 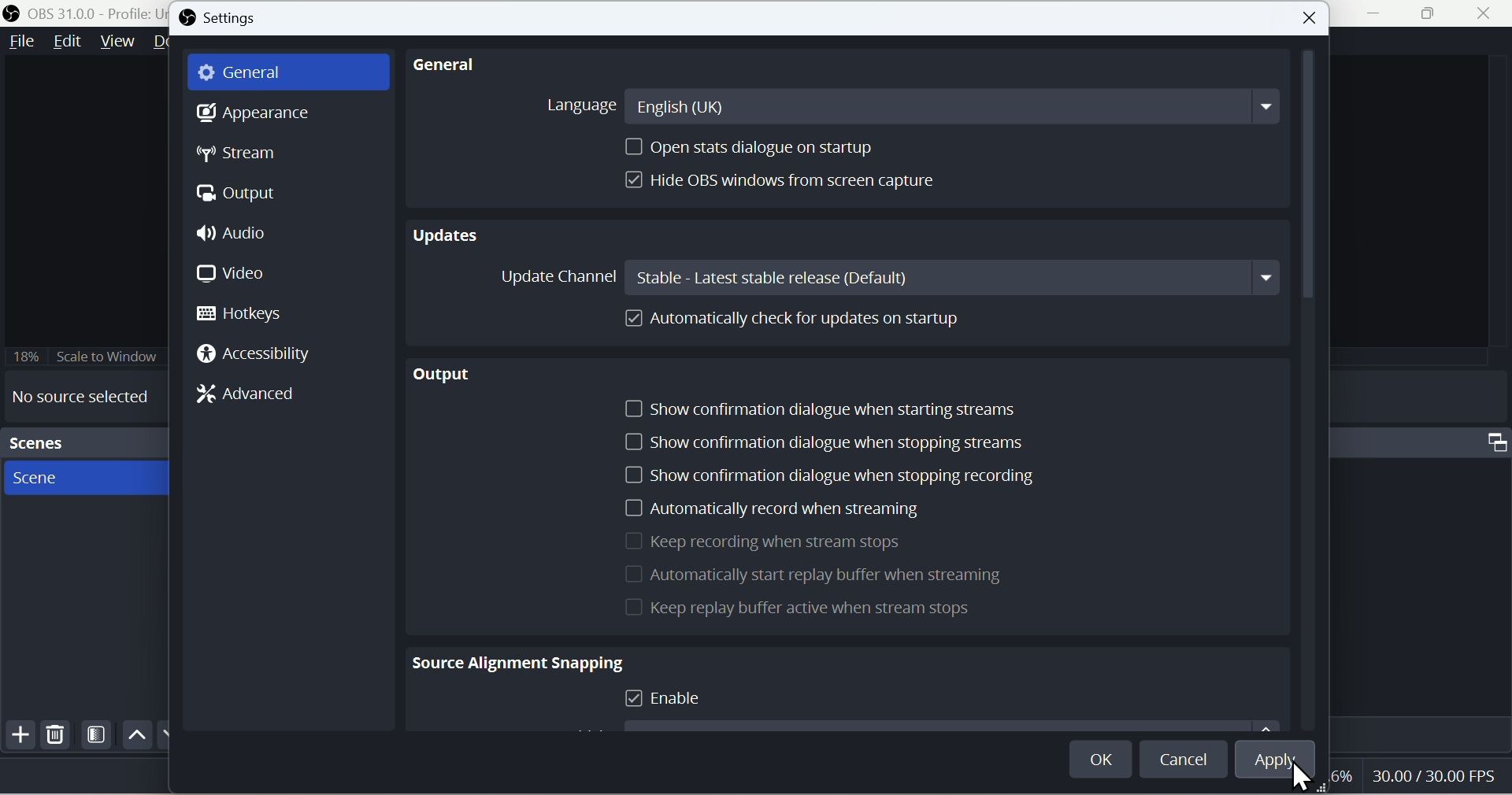 I want to click on Advanced, so click(x=251, y=398).